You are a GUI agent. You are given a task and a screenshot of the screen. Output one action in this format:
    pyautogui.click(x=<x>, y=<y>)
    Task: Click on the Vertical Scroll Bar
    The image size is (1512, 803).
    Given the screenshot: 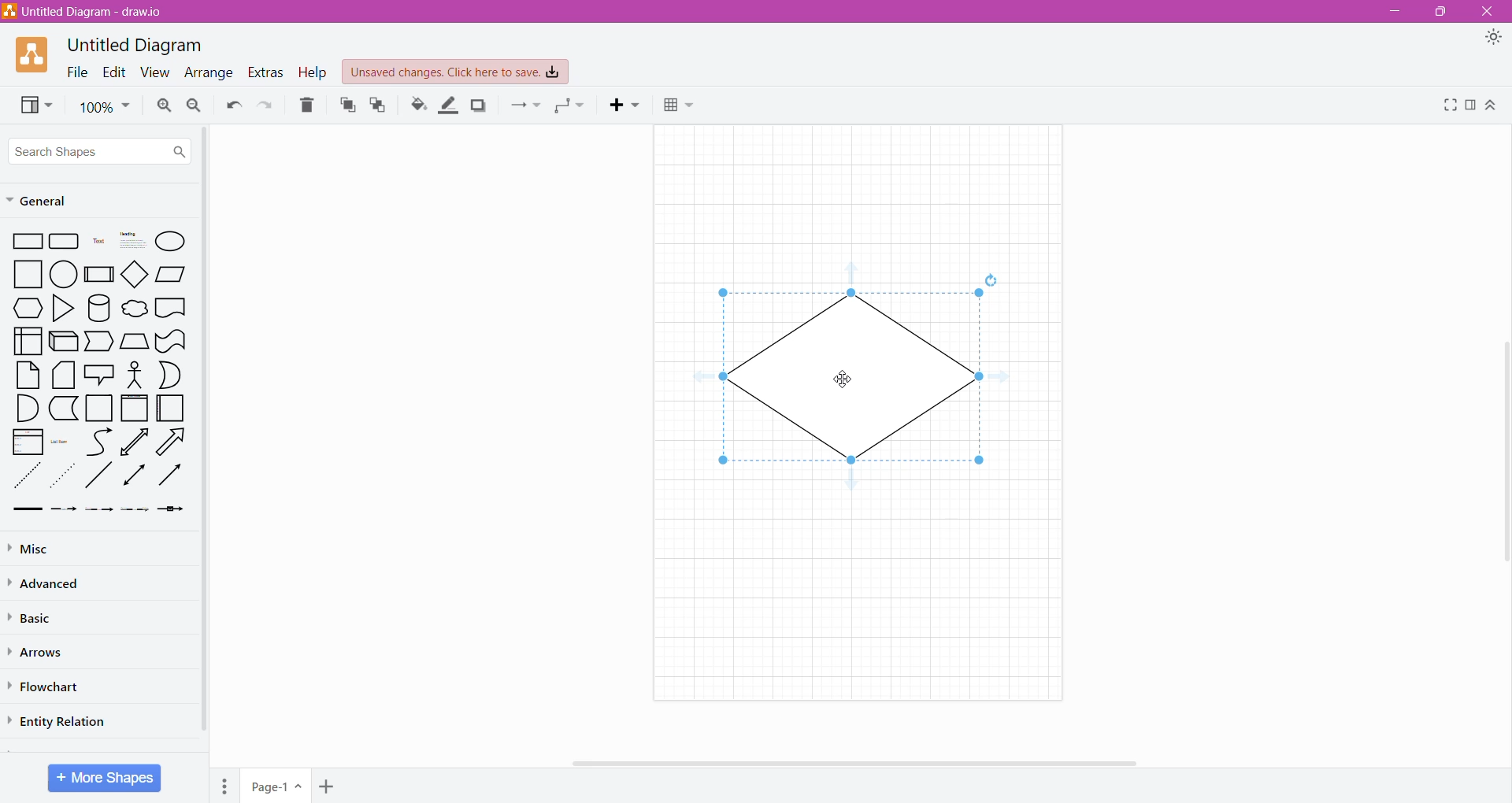 What is the action you would take?
    pyautogui.click(x=1502, y=447)
    